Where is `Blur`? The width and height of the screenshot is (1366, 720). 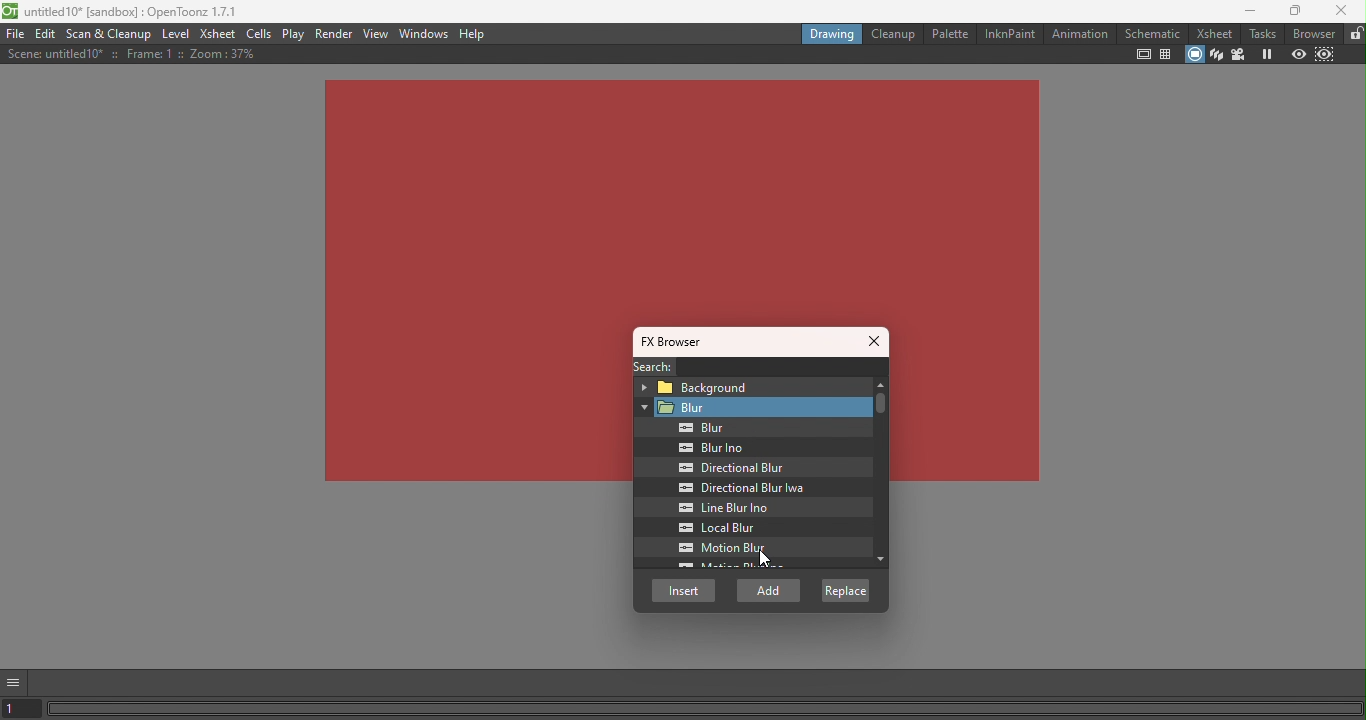
Blur is located at coordinates (751, 408).